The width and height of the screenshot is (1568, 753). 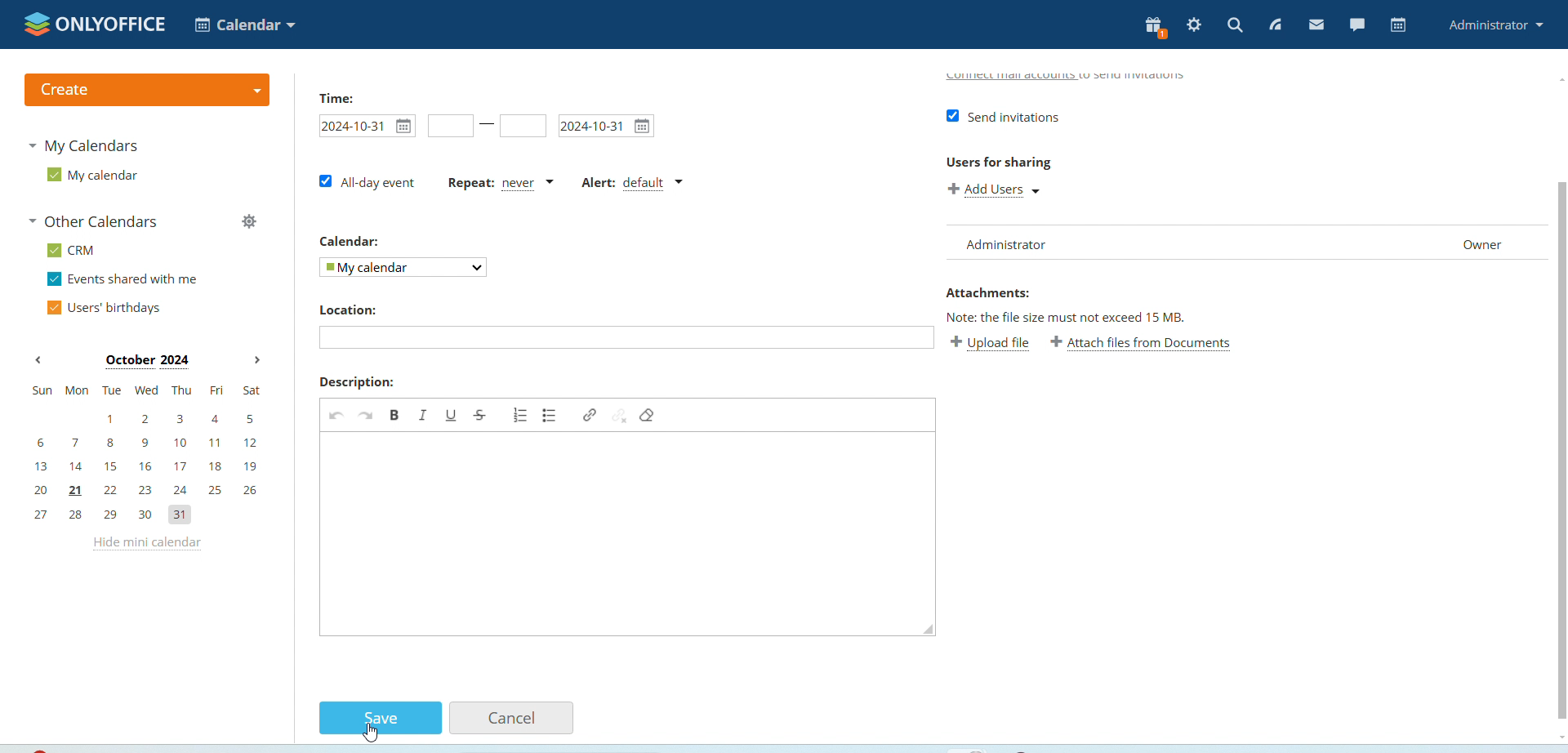 What do you see at coordinates (1558, 79) in the screenshot?
I see `scroll up` at bounding box center [1558, 79].